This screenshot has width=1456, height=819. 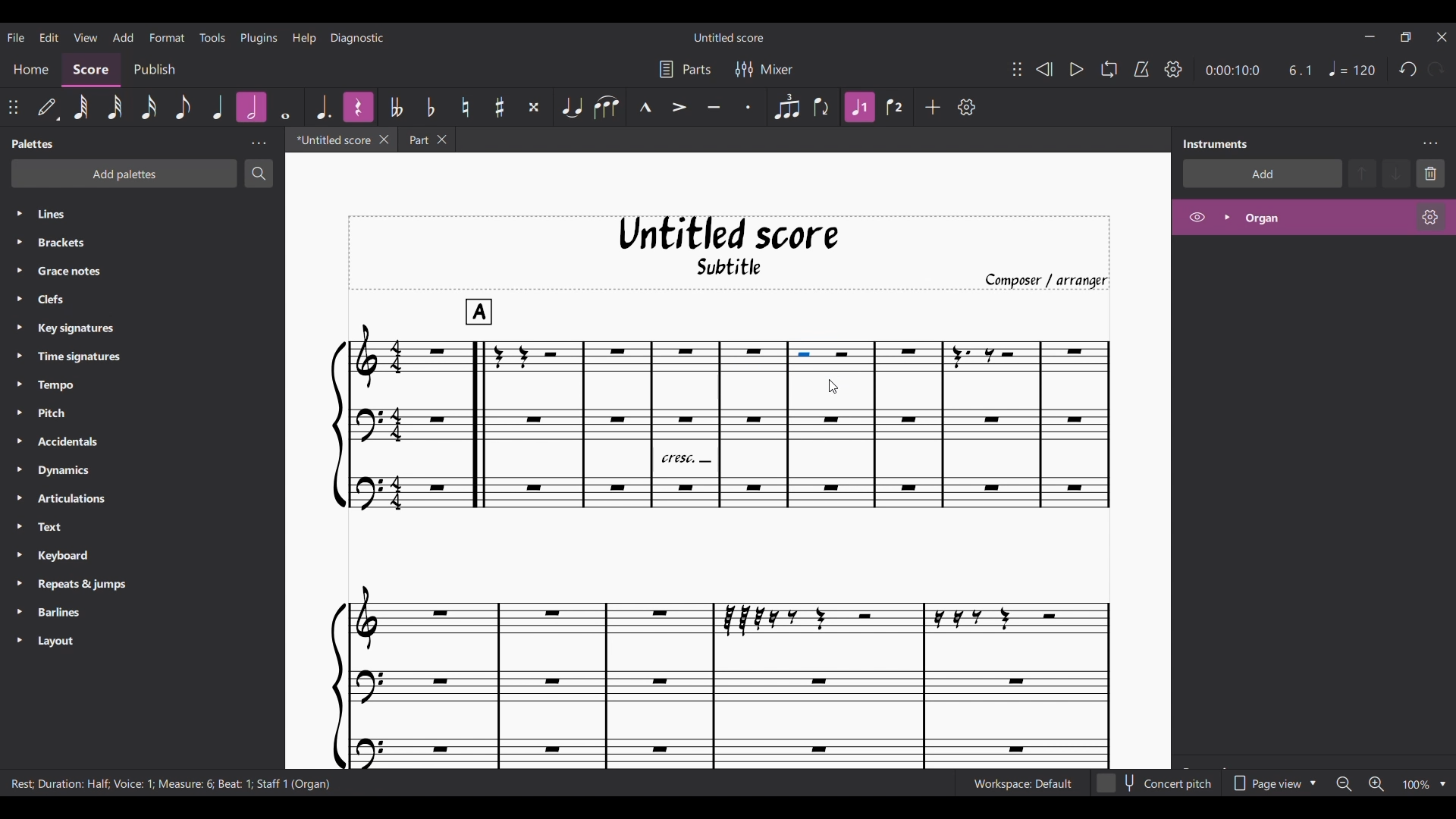 What do you see at coordinates (1443, 784) in the screenshot?
I see `Zoom options` at bounding box center [1443, 784].